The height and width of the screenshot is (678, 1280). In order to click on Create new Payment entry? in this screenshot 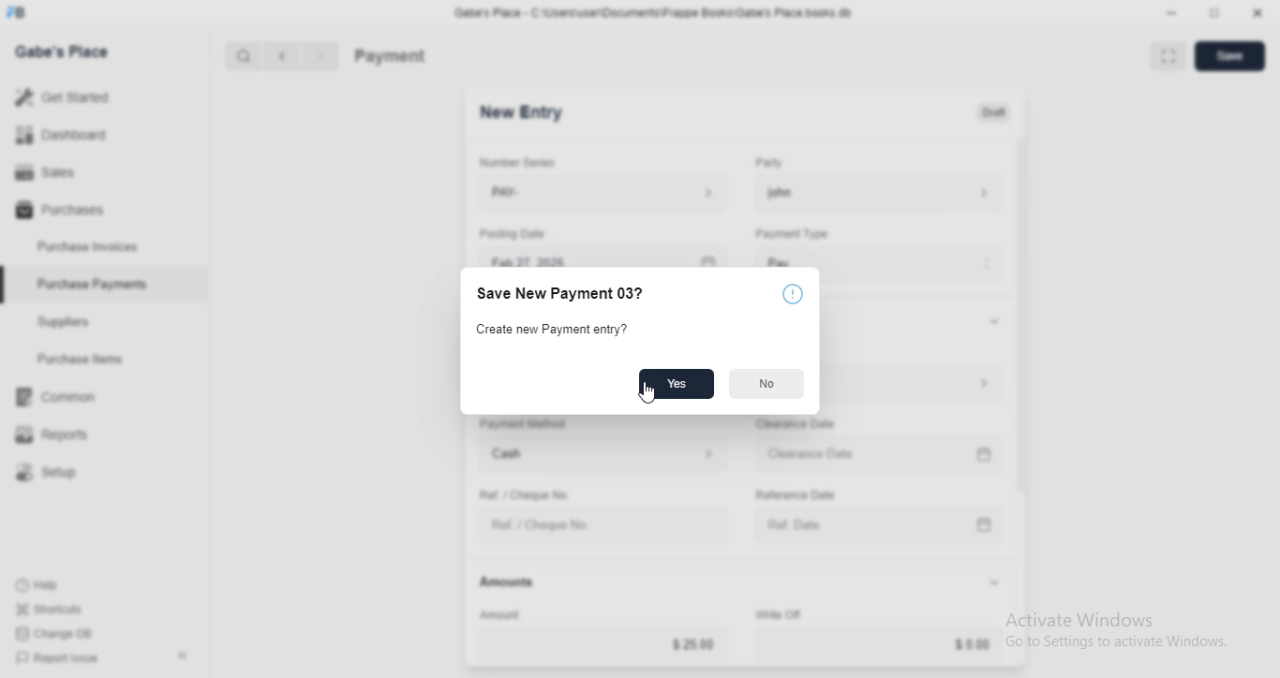, I will do `click(554, 329)`.